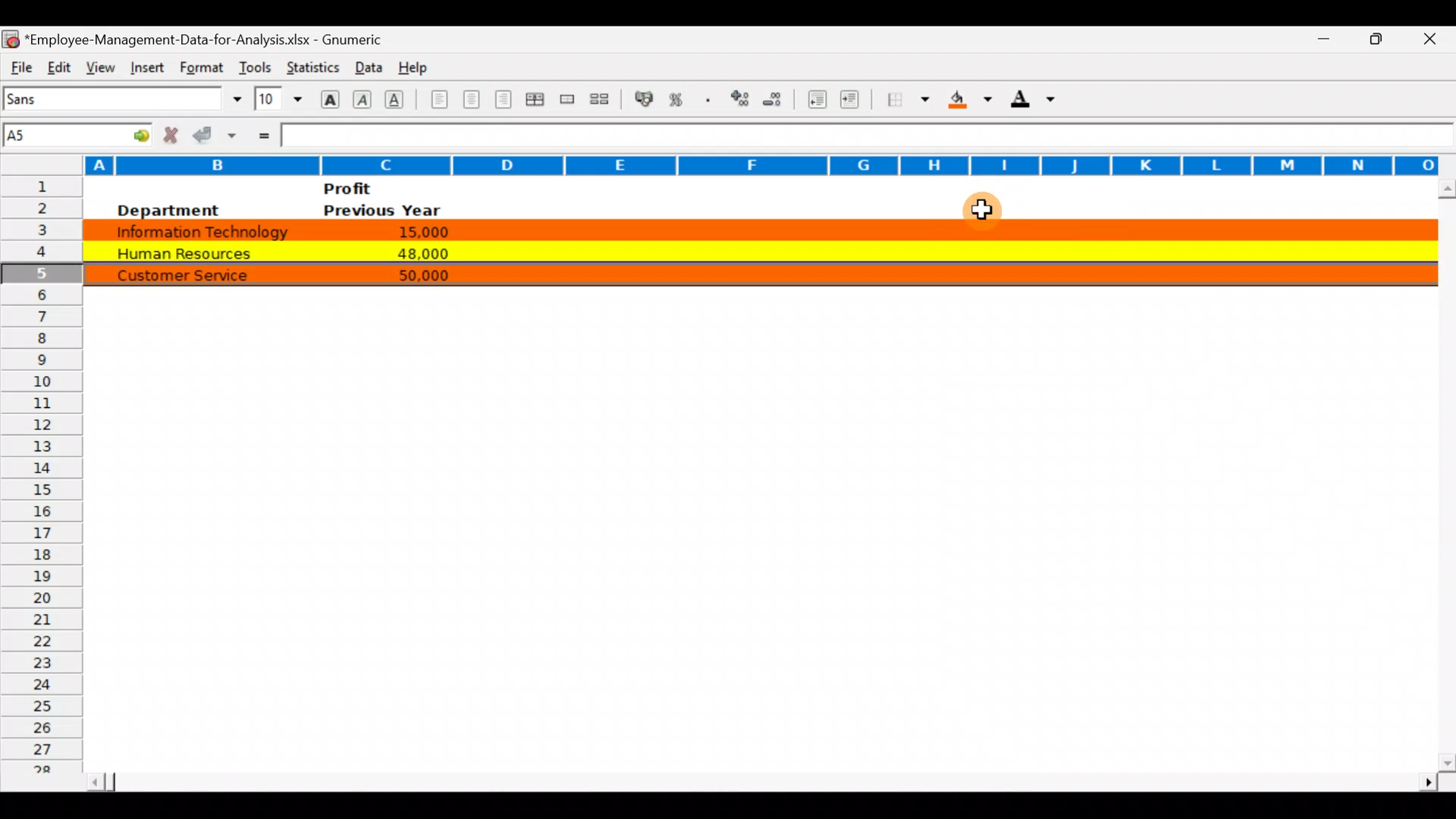 The image size is (1456, 819). What do you see at coordinates (1443, 475) in the screenshot?
I see `Scroll bar` at bounding box center [1443, 475].